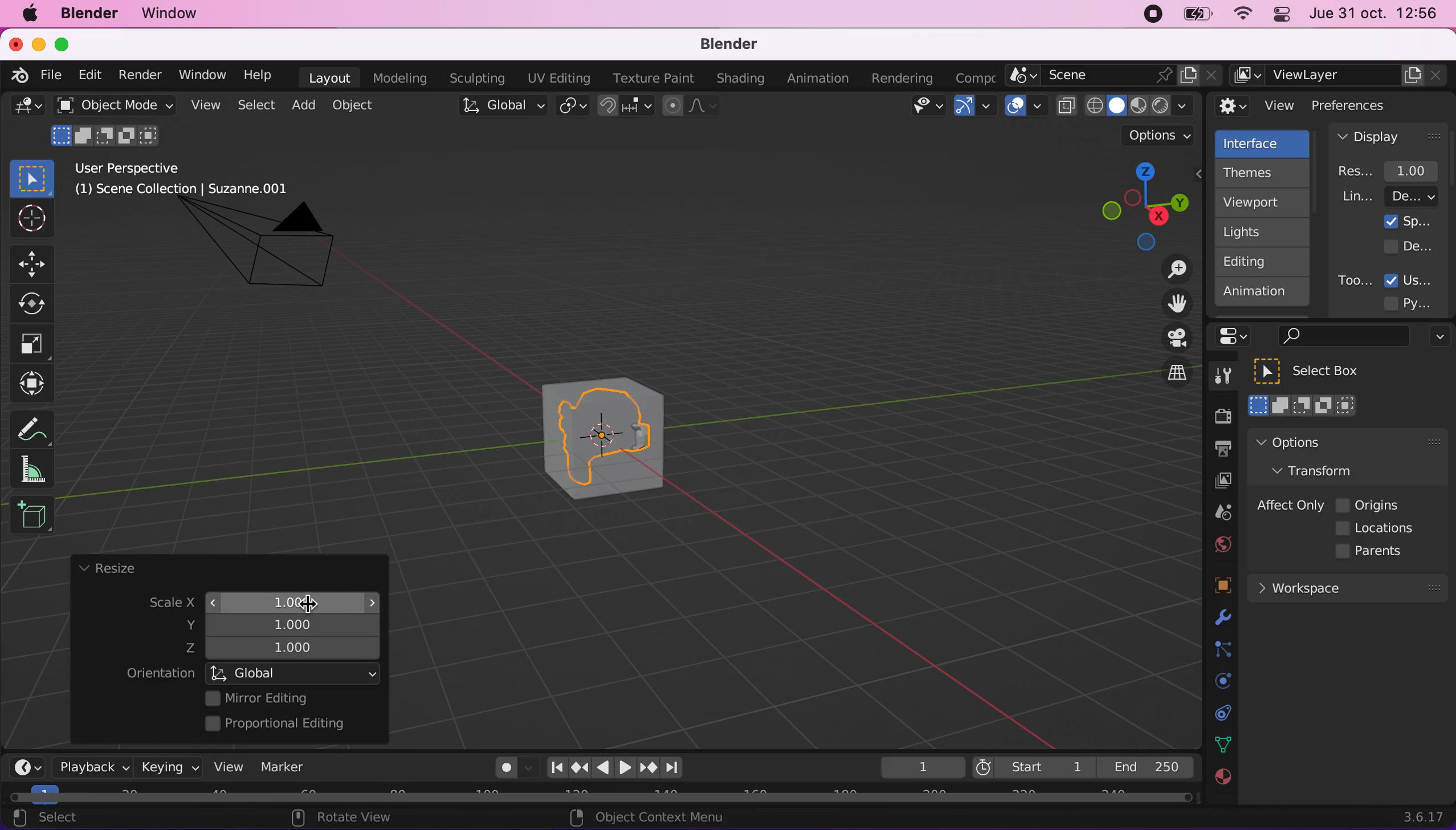 This screenshot has height=830, width=1456. Describe the element at coordinates (1321, 371) in the screenshot. I see `select box` at that location.